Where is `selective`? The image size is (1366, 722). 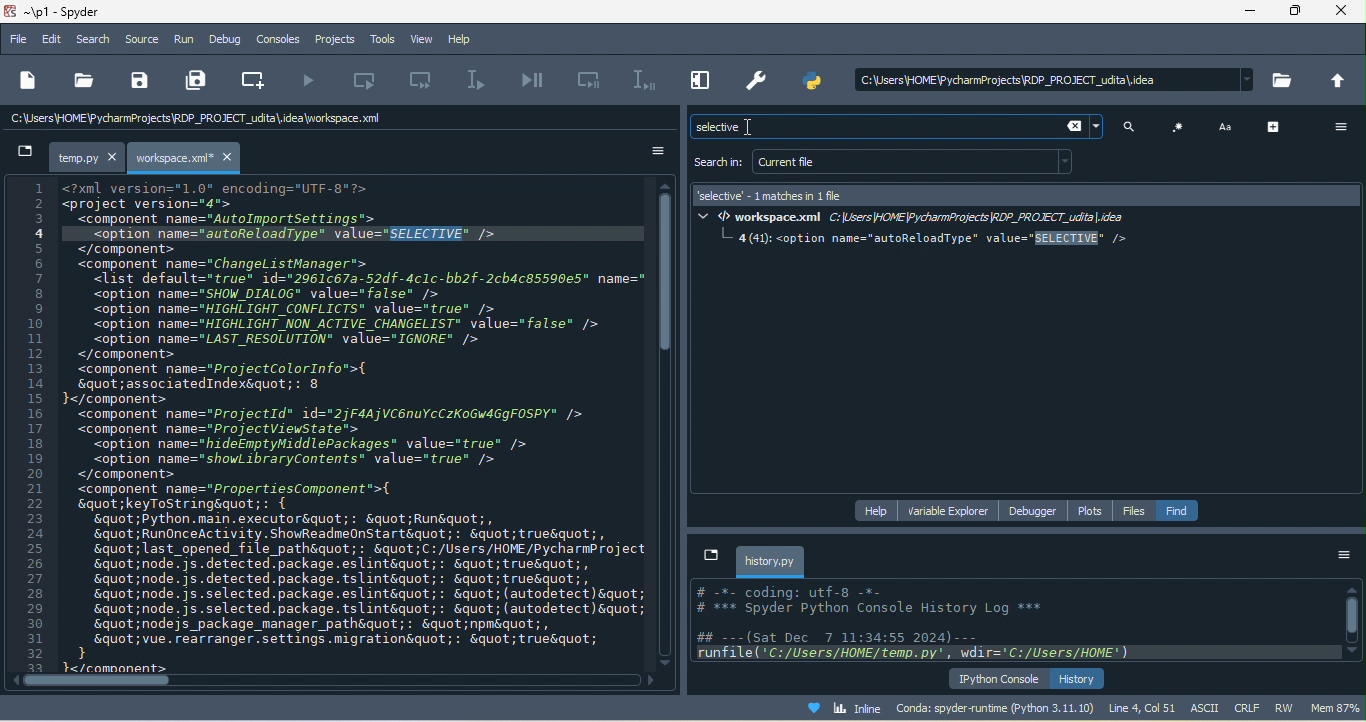
selective is located at coordinates (868, 126).